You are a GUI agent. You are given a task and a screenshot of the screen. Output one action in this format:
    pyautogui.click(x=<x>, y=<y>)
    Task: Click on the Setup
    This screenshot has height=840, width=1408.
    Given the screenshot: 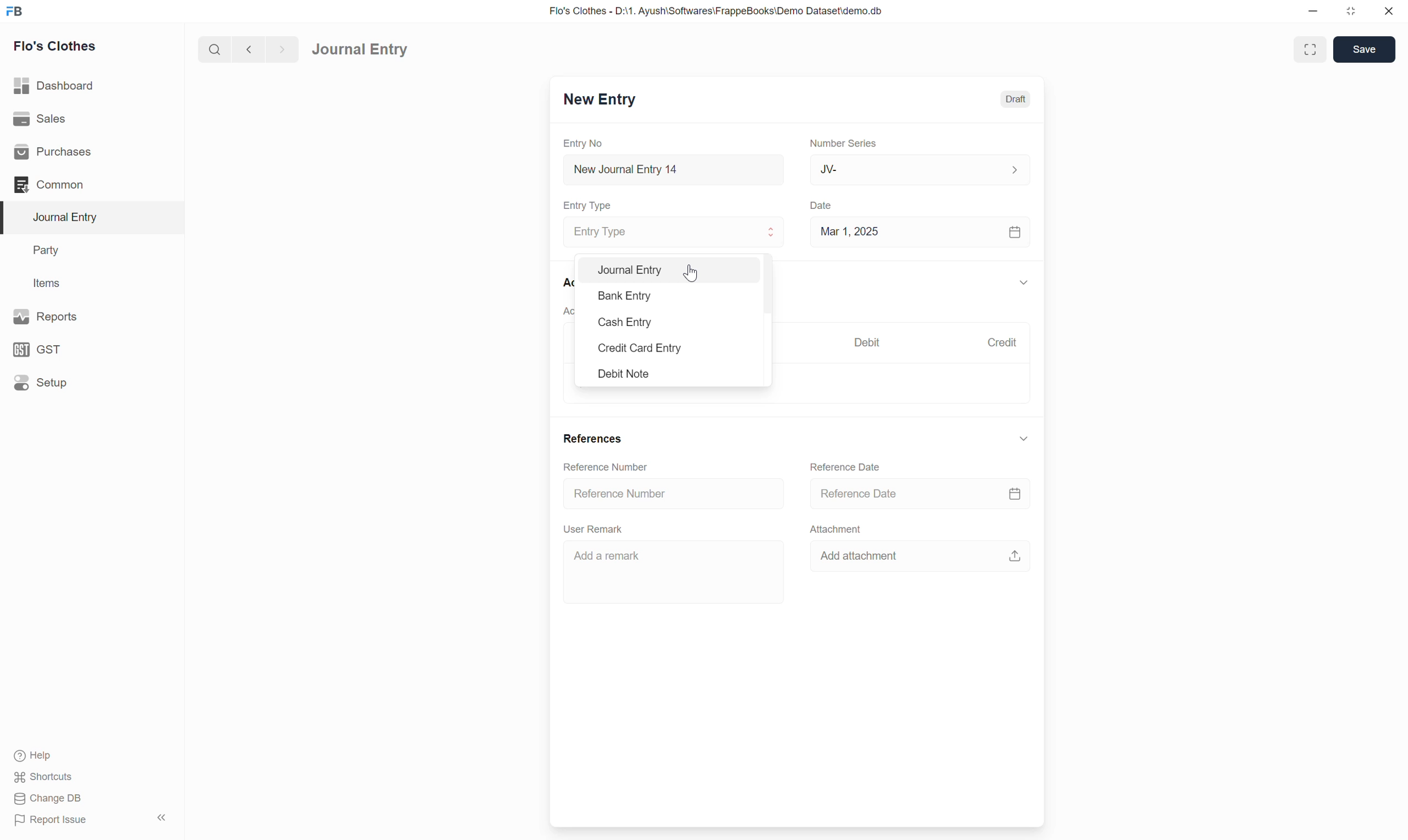 What is the action you would take?
    pyautogui.click(x=41, y=382)
    